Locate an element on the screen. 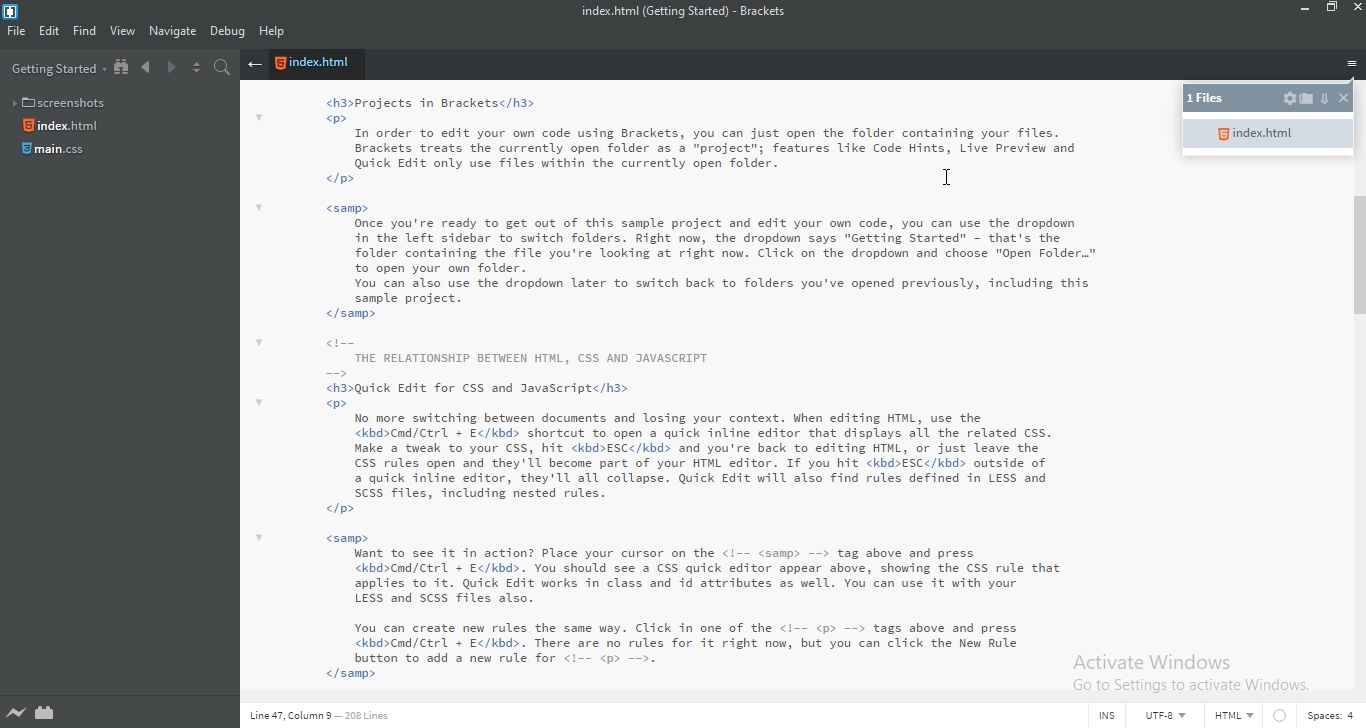 This screenshot has width=1366, height=728. live code data is located at coordinates (333, 718).